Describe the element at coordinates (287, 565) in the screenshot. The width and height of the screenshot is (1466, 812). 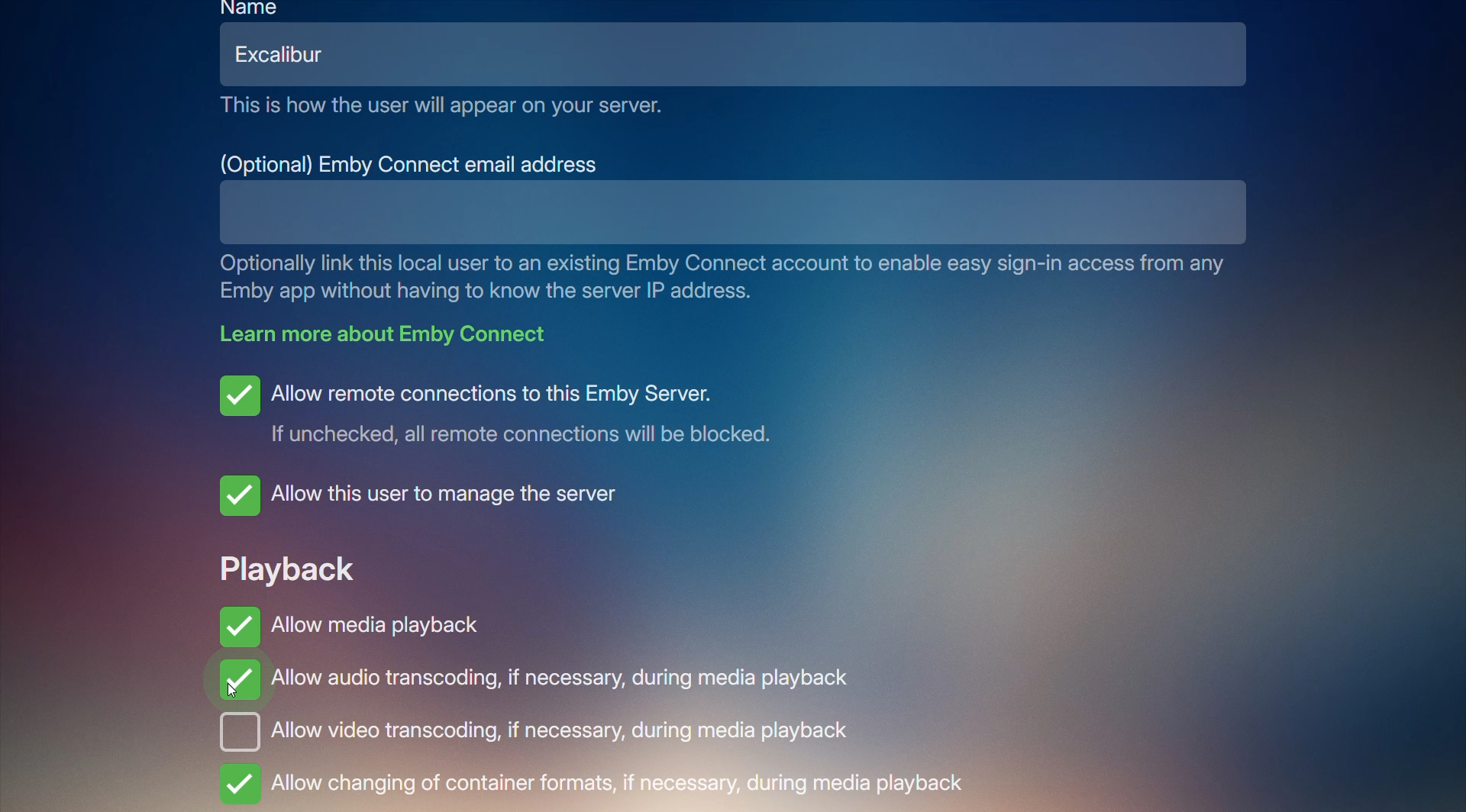
I see `Playback` at that location.